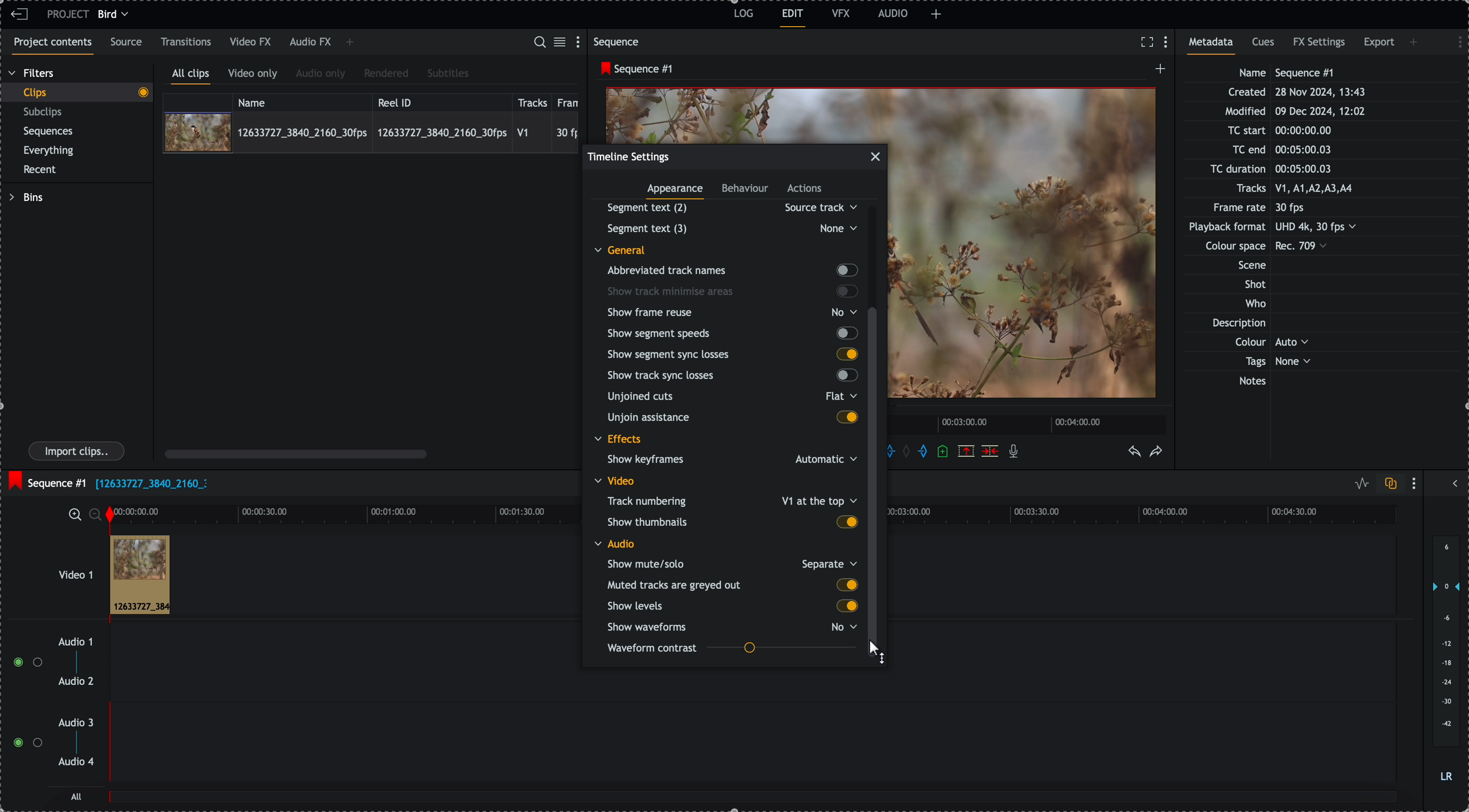 The image size is (1469, 812). I want to click on project contents, so click(50, 46).